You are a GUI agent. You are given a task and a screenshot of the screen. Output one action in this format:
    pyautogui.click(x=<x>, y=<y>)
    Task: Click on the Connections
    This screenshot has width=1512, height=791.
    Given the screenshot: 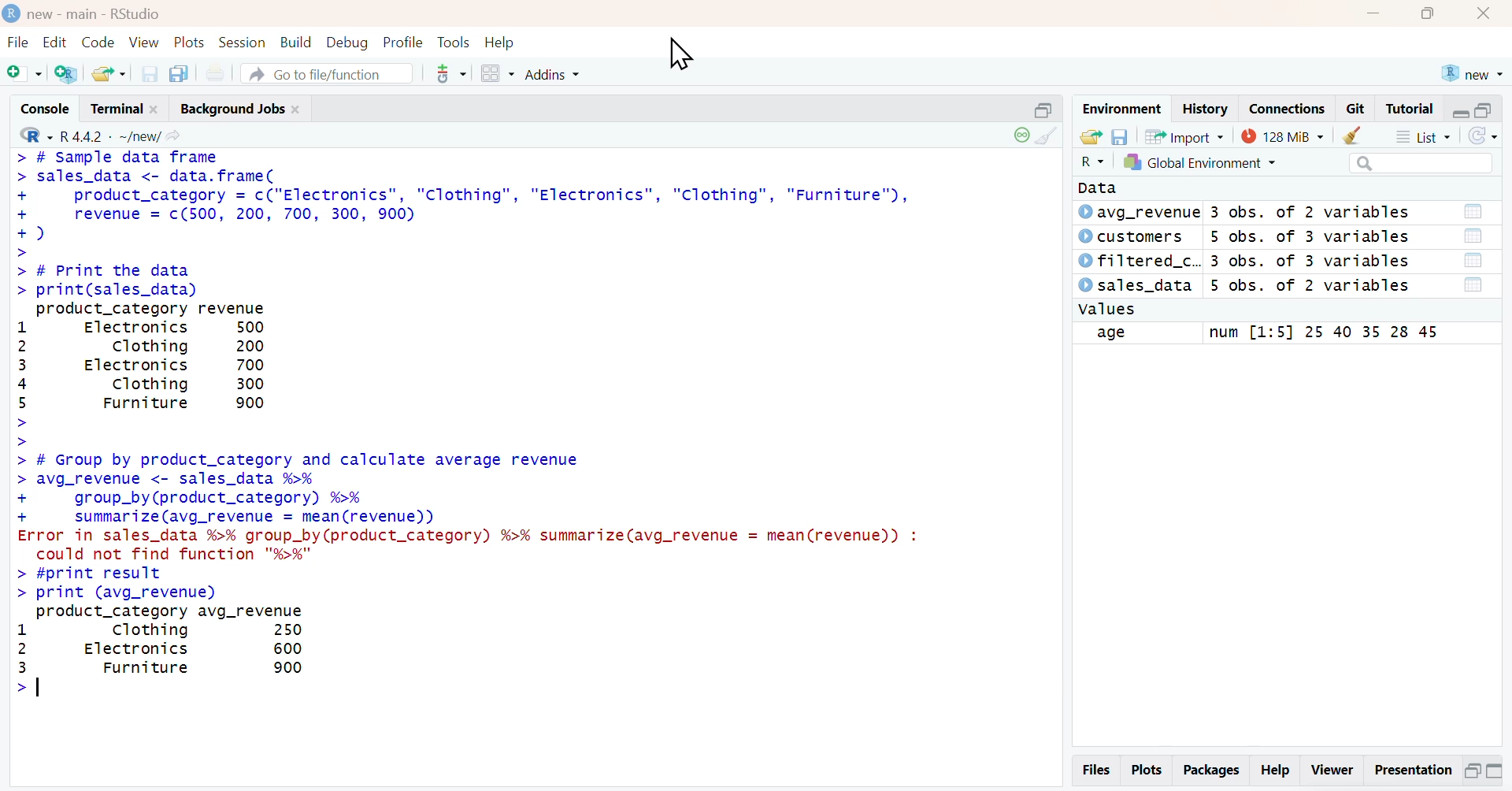 What is the action you would take?
    pyautogui.click(x=1288, y=109)
    